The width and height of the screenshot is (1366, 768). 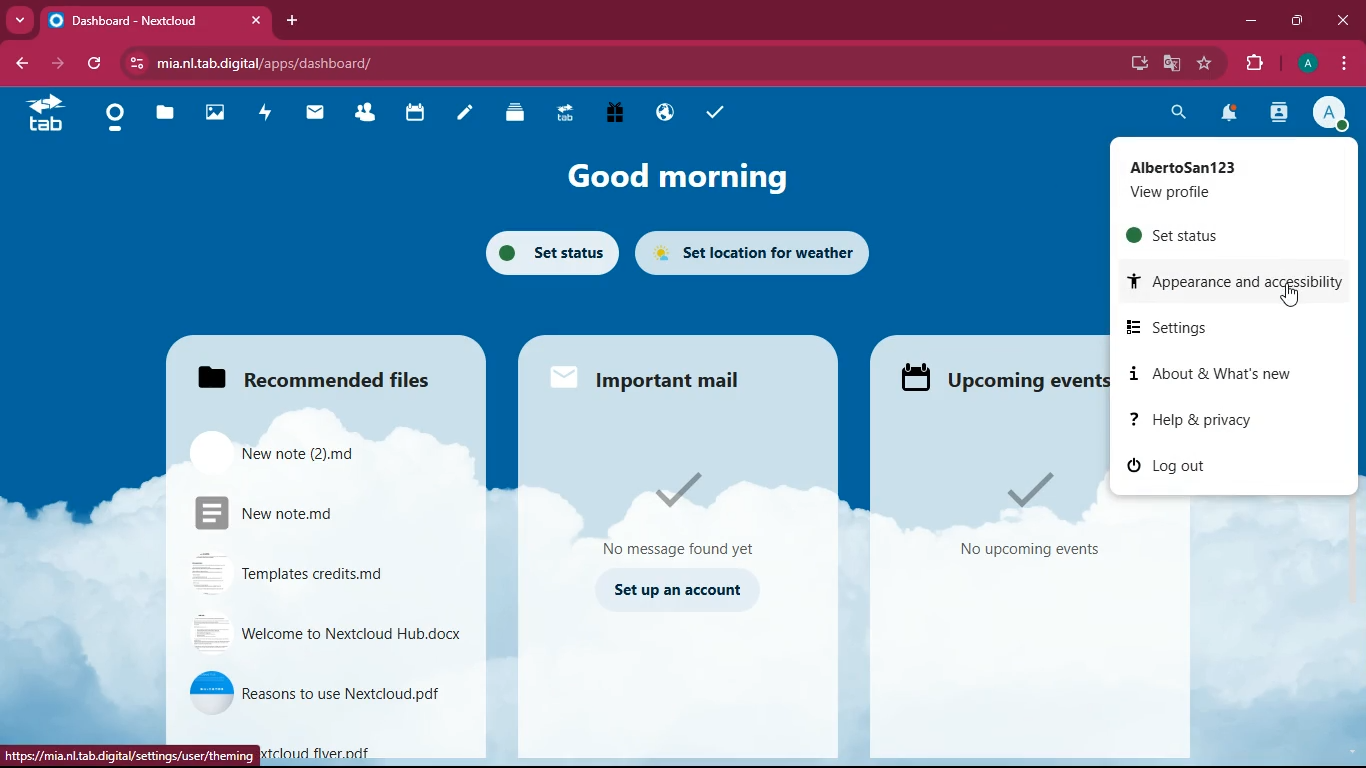 What do you see at coordinates (1237, 280) in the screenshot?
I see `appearance` at bounding box center [1237, 280].